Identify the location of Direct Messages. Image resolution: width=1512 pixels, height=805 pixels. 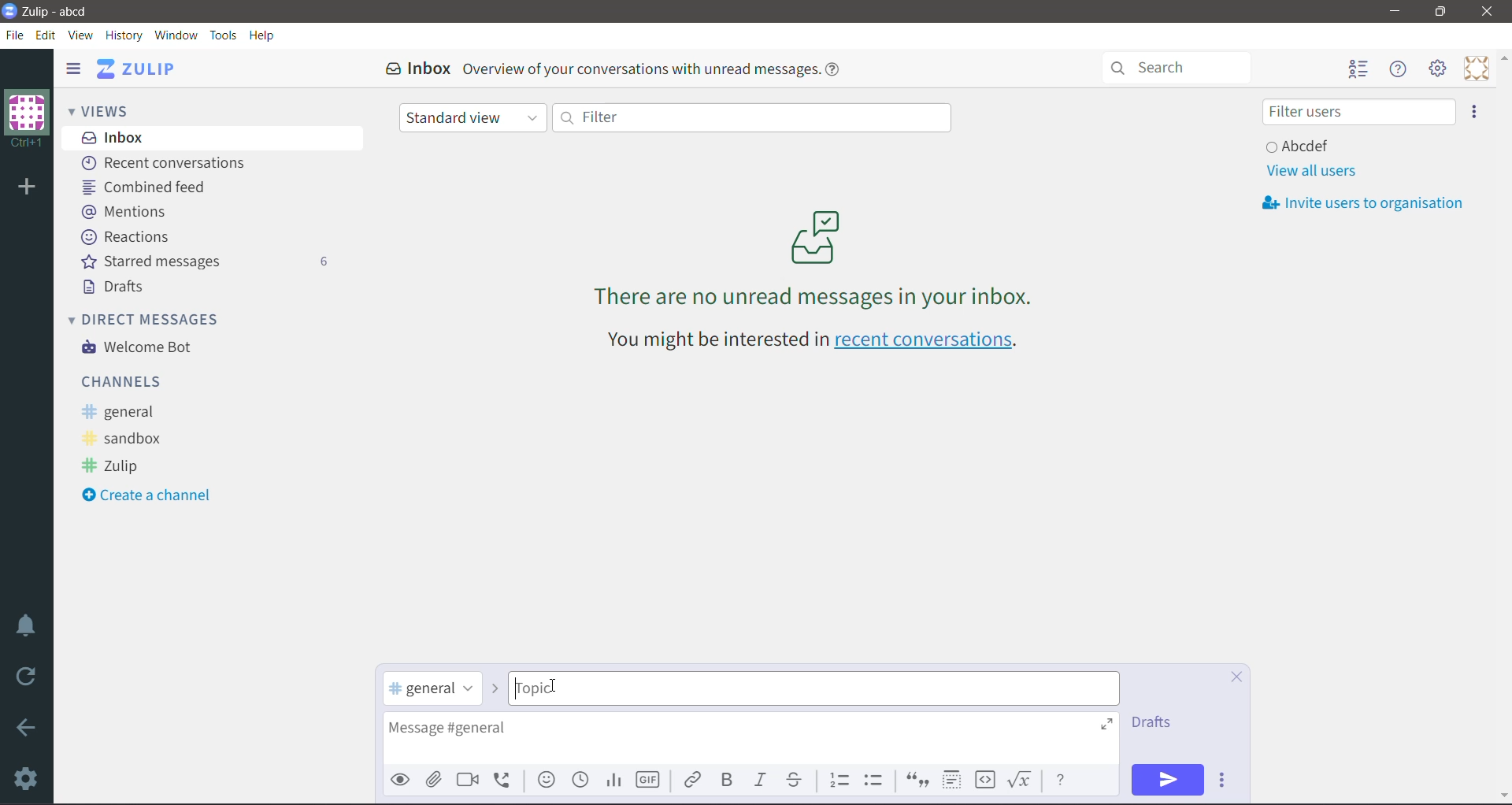
(154, 318).